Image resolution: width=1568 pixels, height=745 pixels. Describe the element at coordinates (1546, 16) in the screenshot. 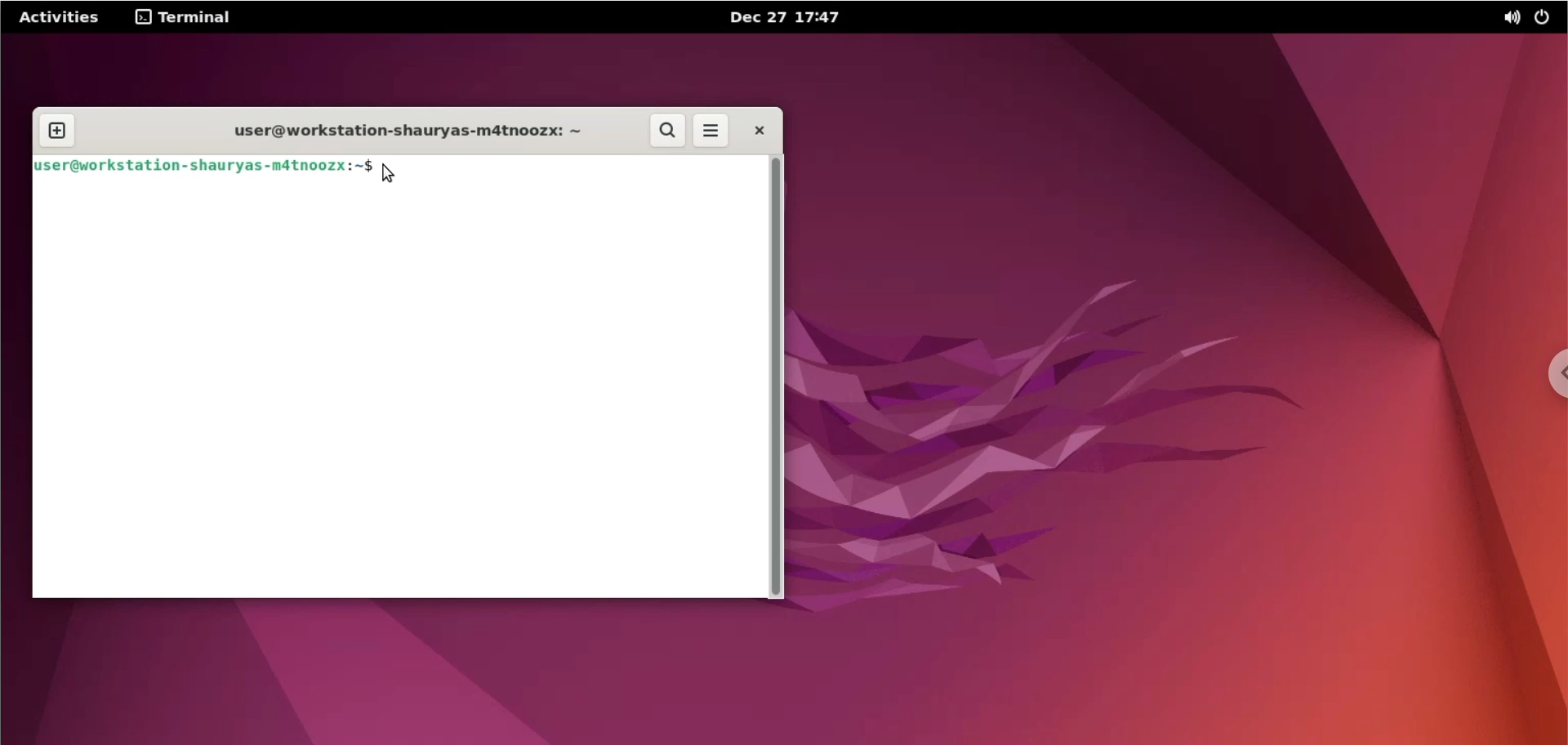

I see `power options` at that location.